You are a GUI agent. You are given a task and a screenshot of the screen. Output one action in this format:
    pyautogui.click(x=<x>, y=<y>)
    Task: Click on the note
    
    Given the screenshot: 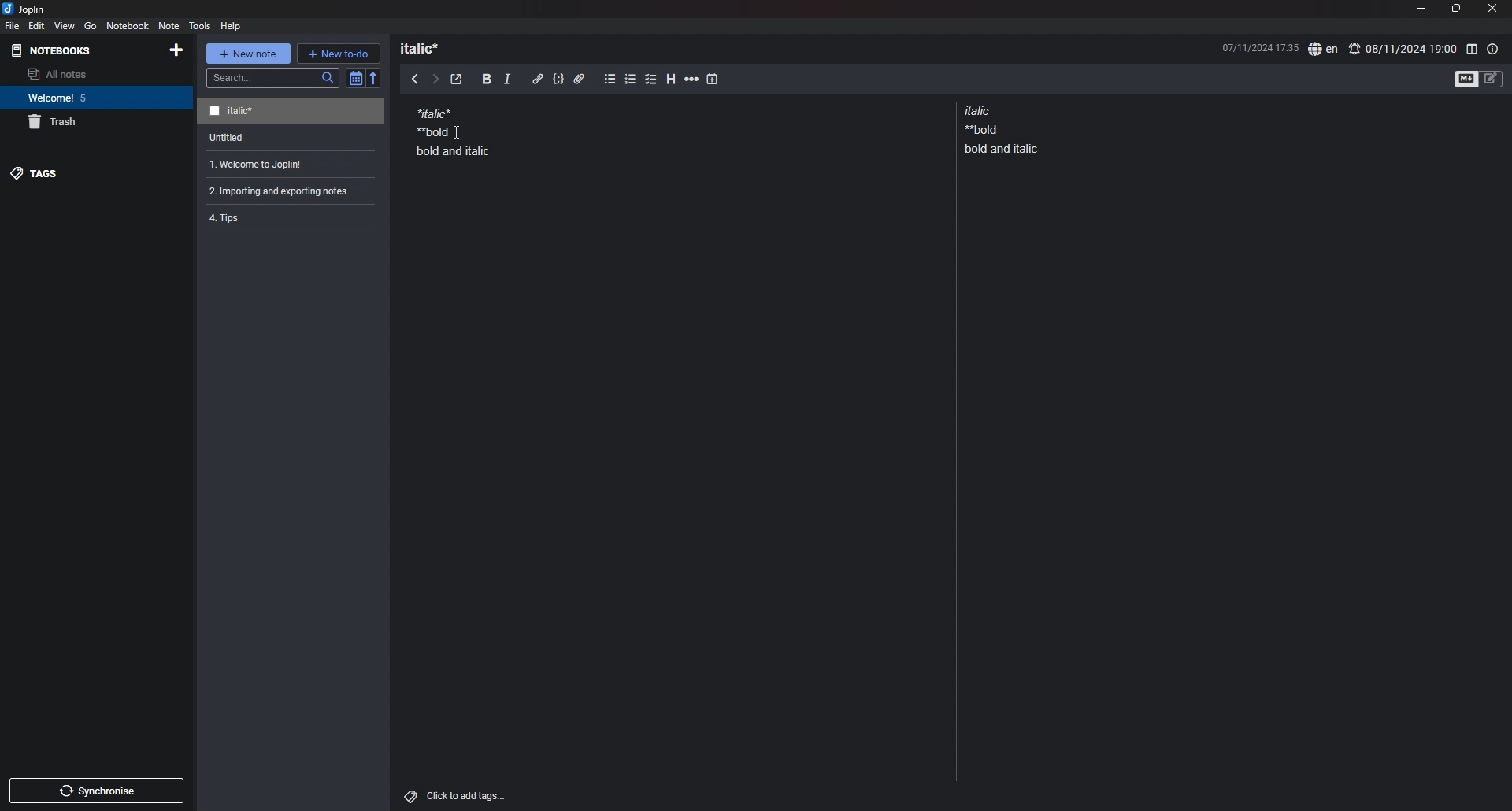 What is the action you would take?
    pyautogui.click(x=454, y=131)
    